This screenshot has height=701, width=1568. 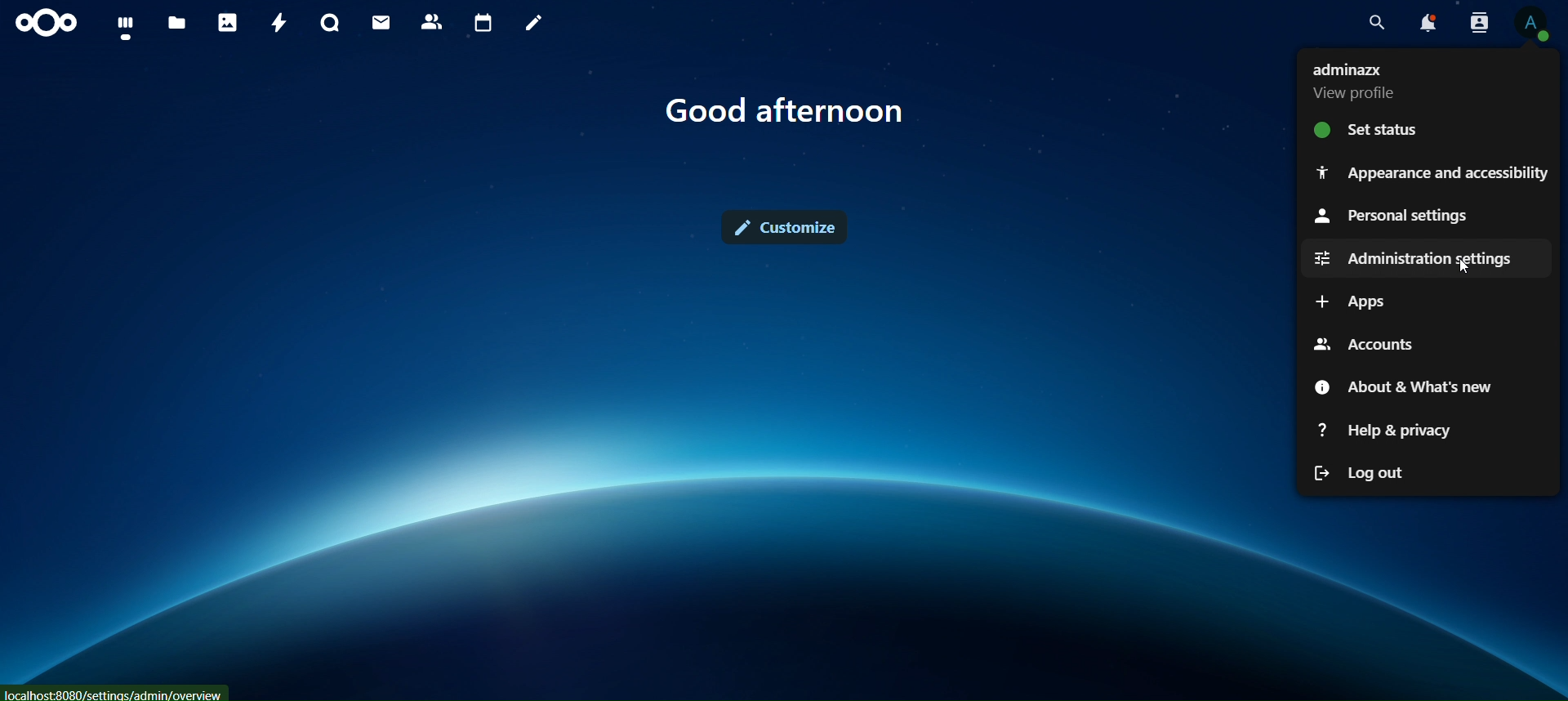 I want to click on notes, so click(x=532, y=23).